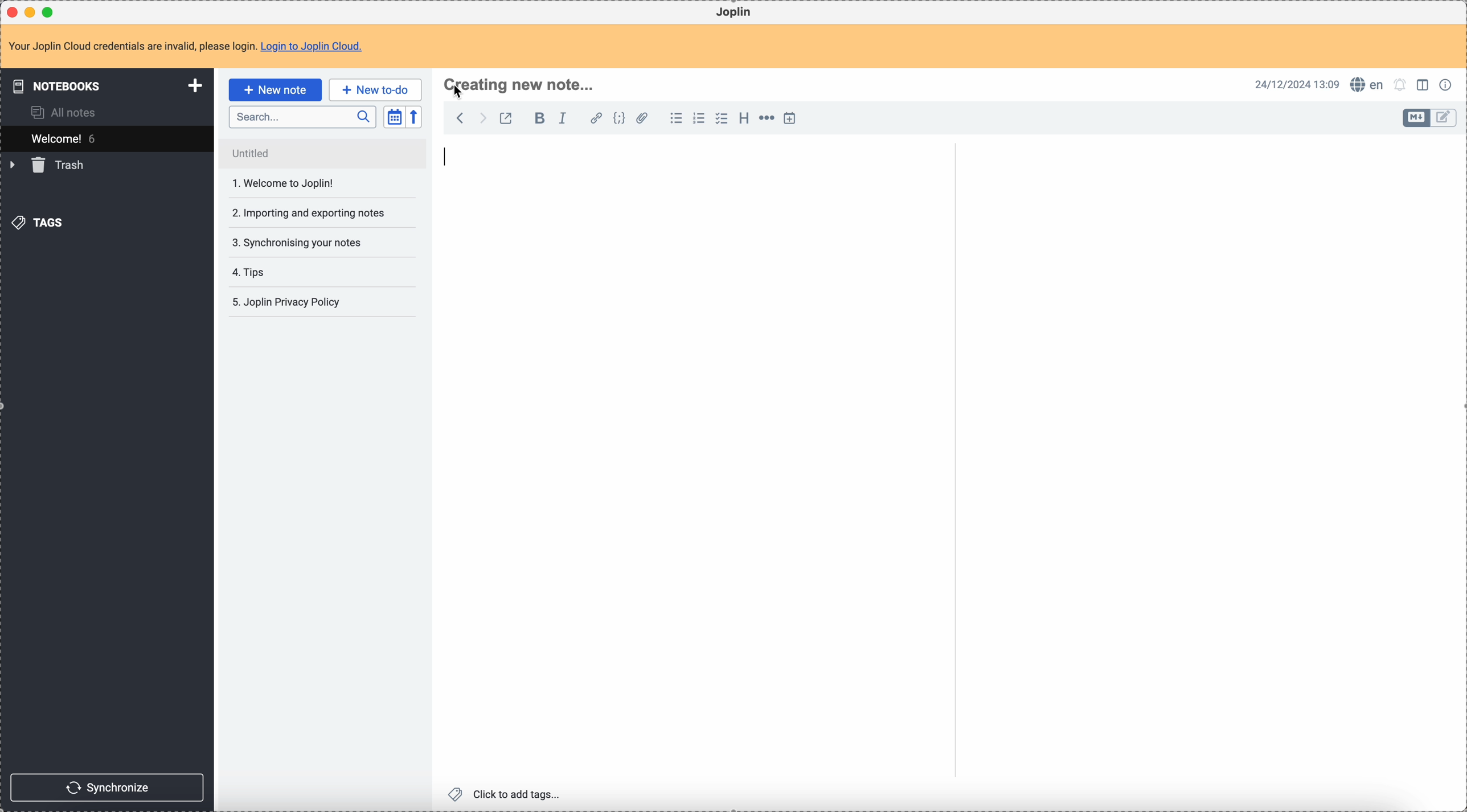 The height and width of the screenshot is (812, 1467). Describe the element at coordinates (51, 11) in the screenshot. I see `maximize` at that location.